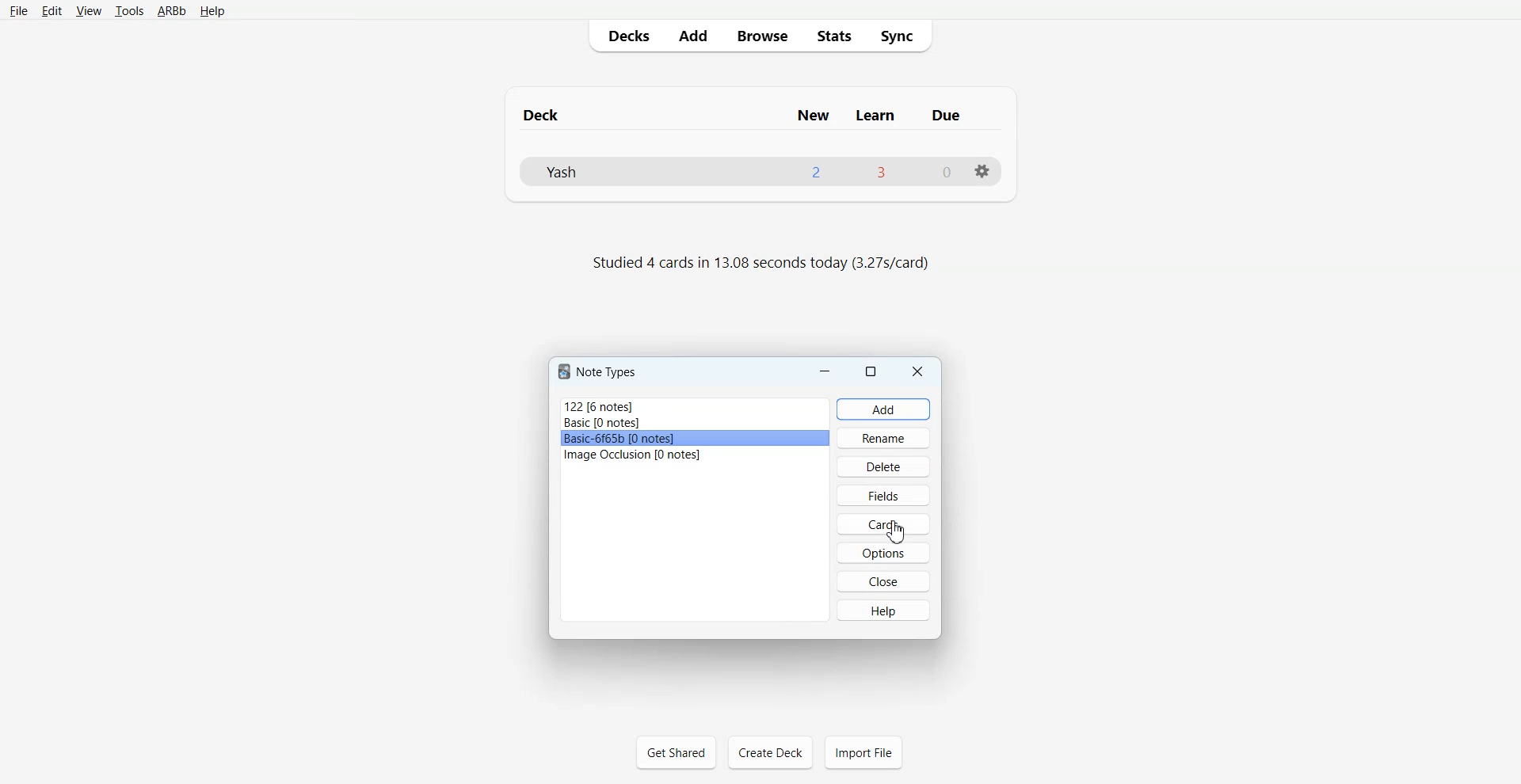 Image resolution: width=1521 pixels, height=784 pixels. What do you see at coordinates (676, 752) in the screenshot?
I see `Get Shared` at bounding box center [676, 752].